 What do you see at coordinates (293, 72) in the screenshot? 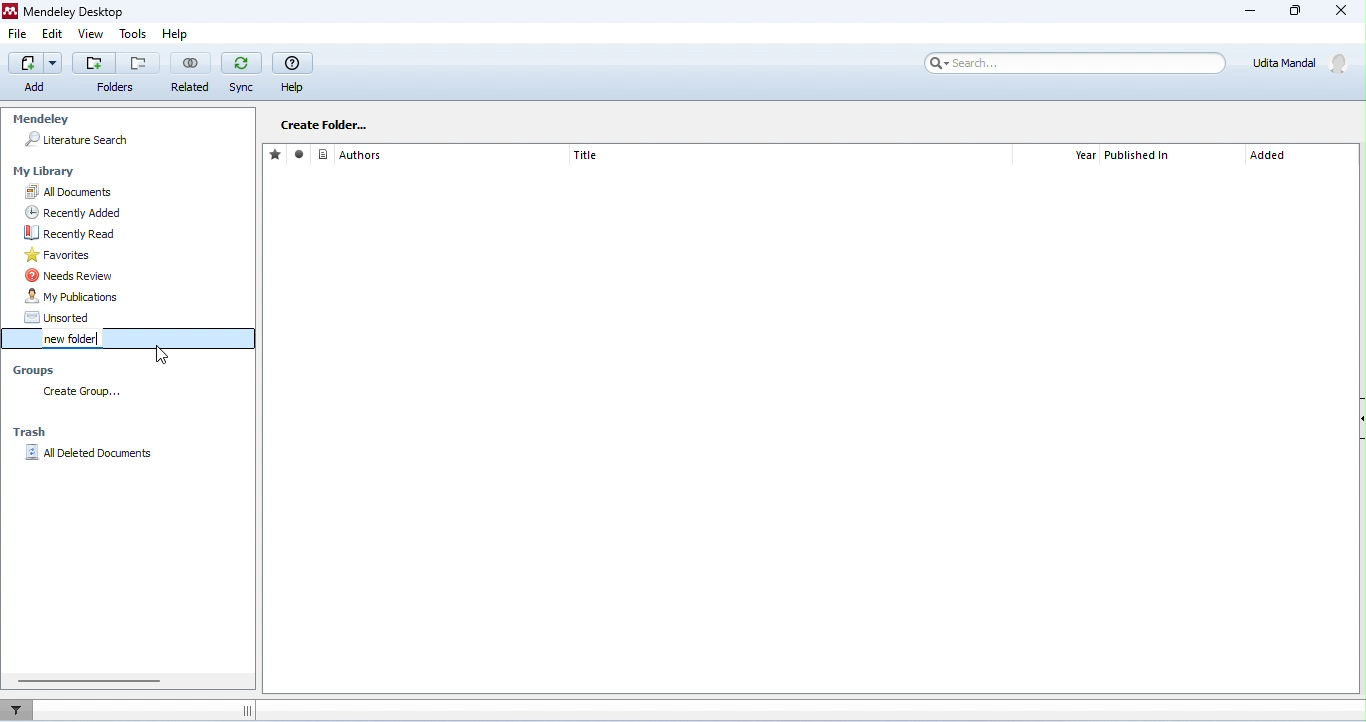
I see `help` at bounding box center [293, 72].